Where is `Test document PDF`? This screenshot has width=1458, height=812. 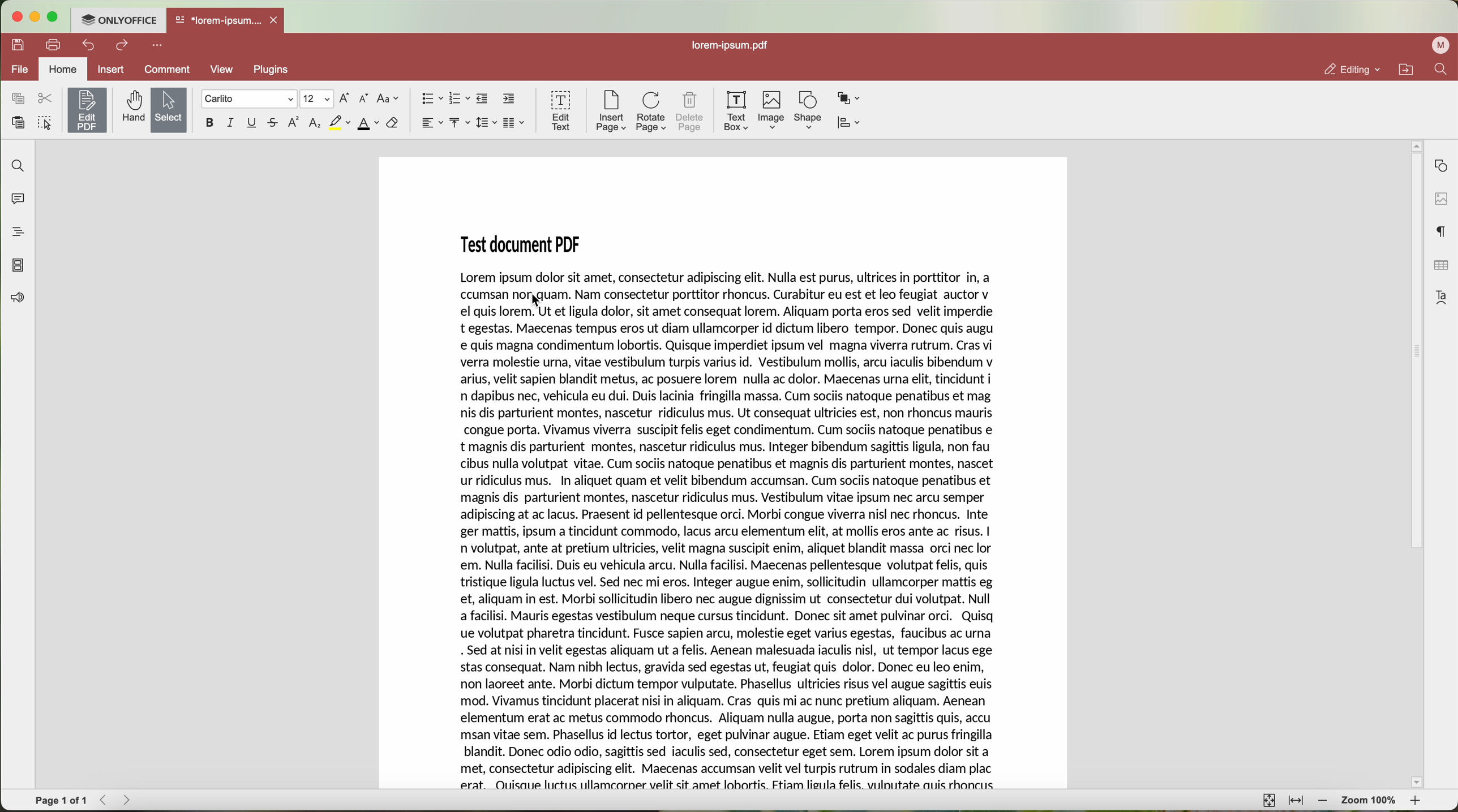
Test document PDF is located at coordinates (525, 242).